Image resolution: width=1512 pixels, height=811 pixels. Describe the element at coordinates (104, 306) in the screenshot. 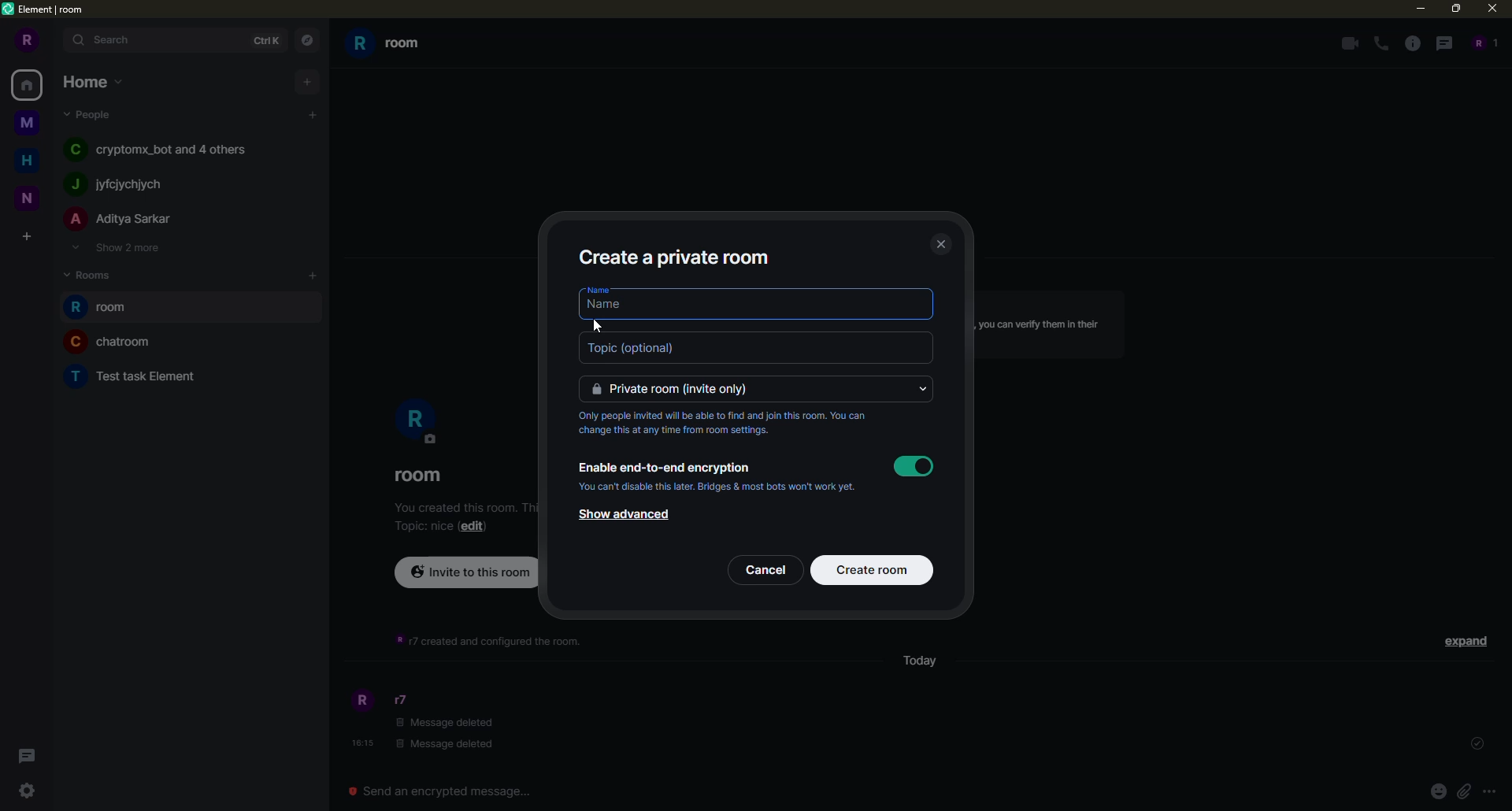

I see `room` at that location.